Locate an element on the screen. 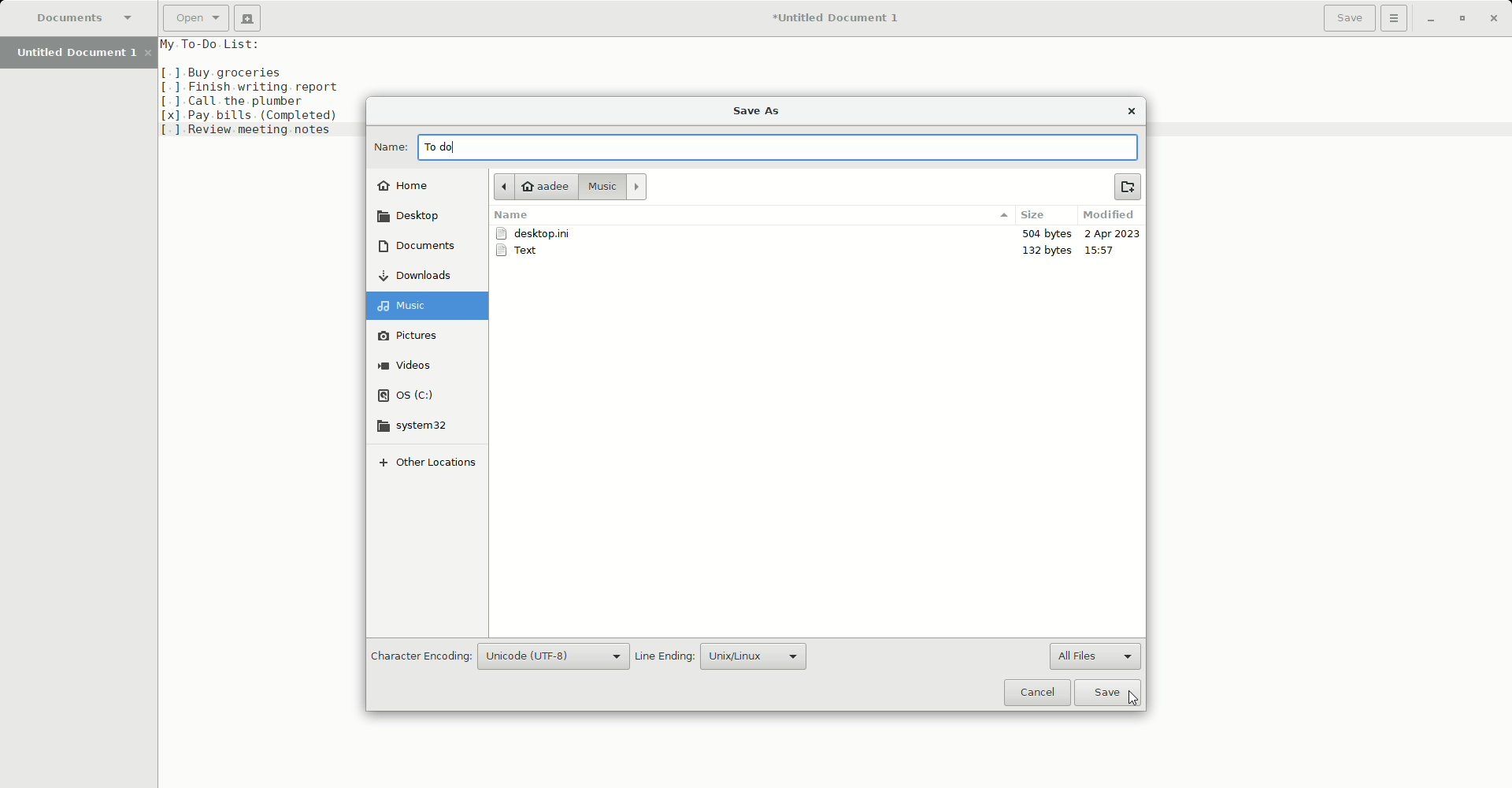  15:57 is located at coordinates (1106, 250).